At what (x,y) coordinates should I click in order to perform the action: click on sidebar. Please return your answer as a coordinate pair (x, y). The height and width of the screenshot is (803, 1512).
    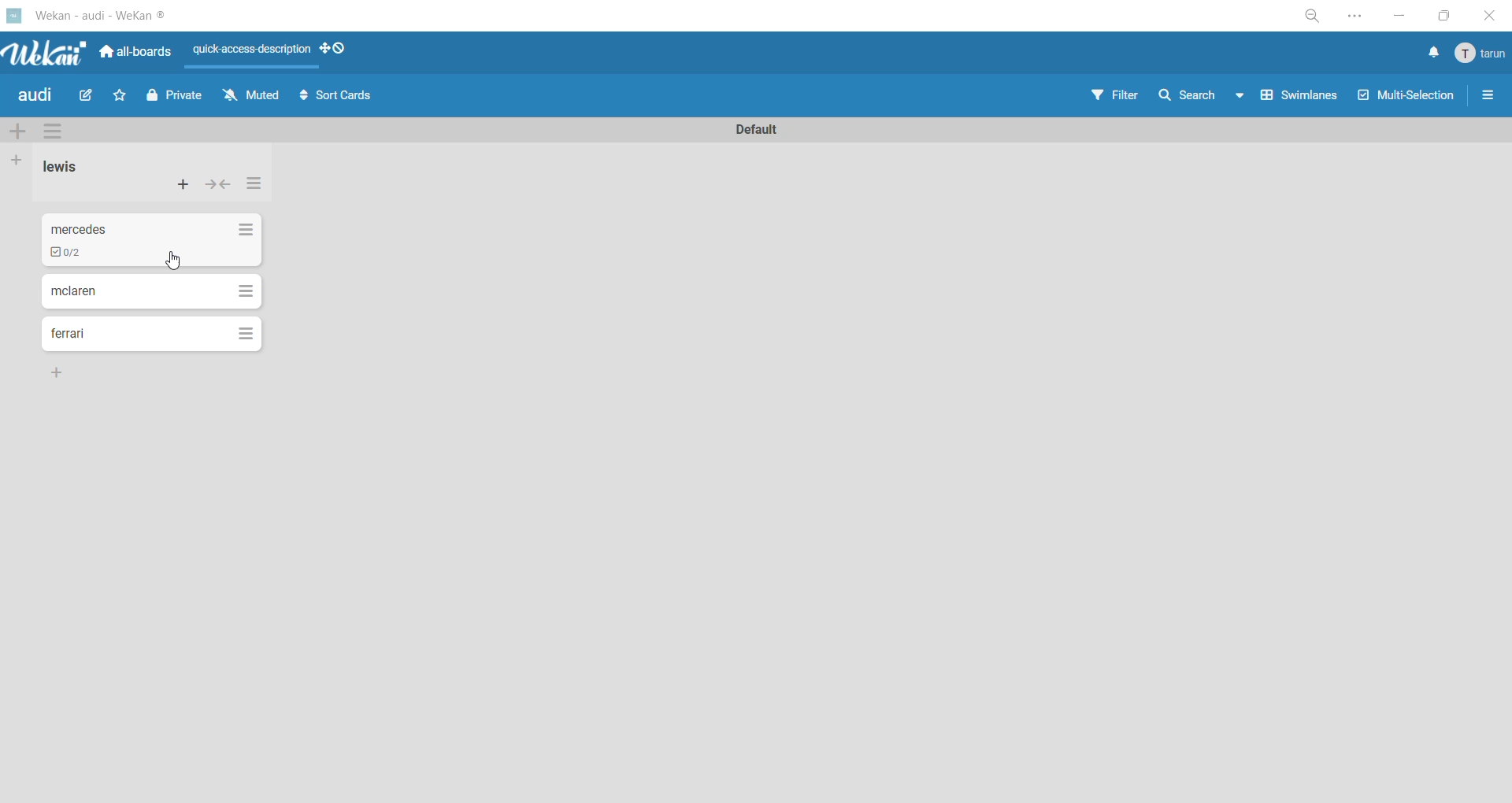
    Looking at the image, I should click on (1484, 96).